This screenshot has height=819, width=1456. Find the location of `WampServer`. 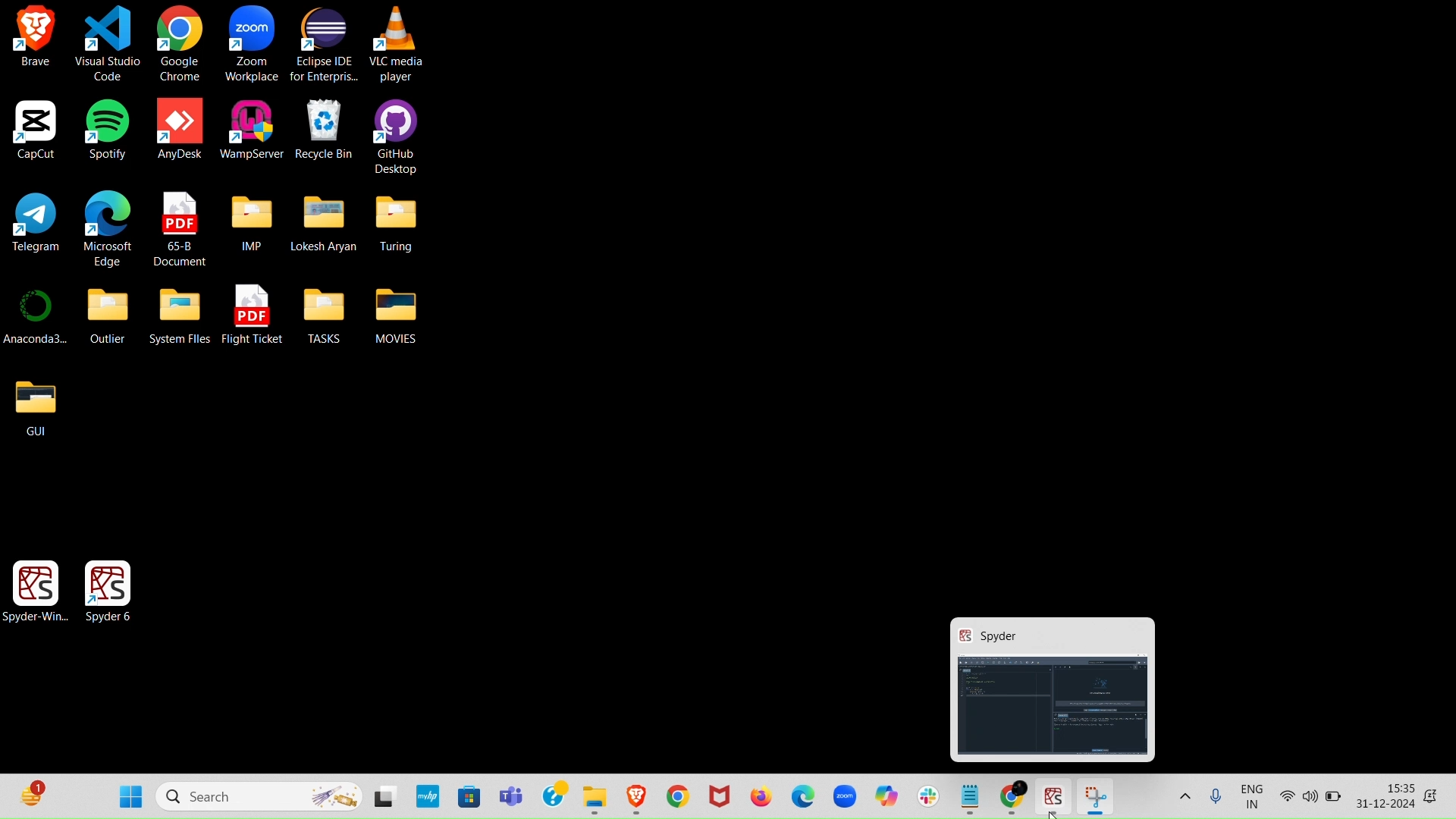

WampServer is located at coordinates (252, 128).